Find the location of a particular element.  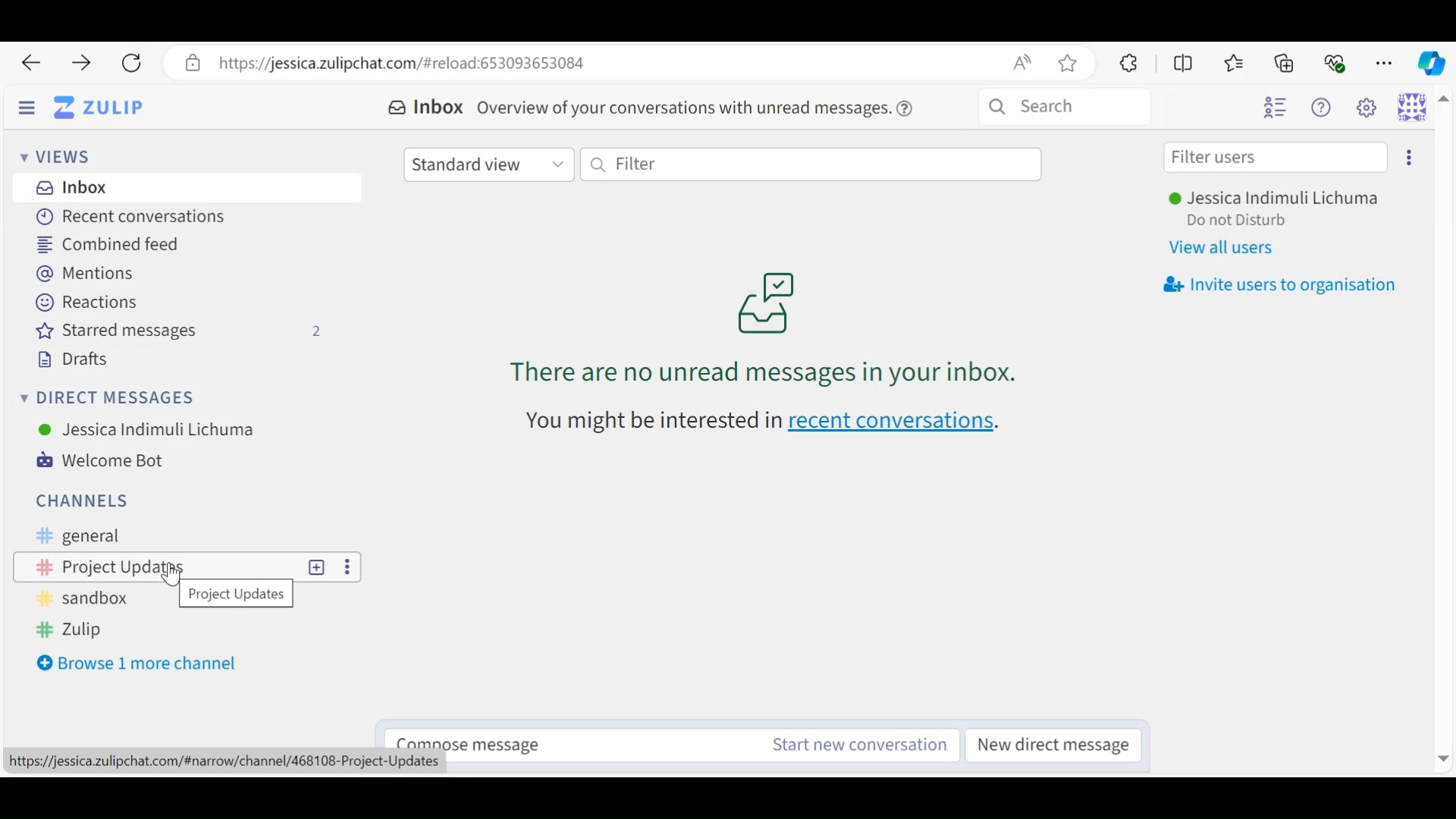

Compose message is located at coordinates (557, 741).